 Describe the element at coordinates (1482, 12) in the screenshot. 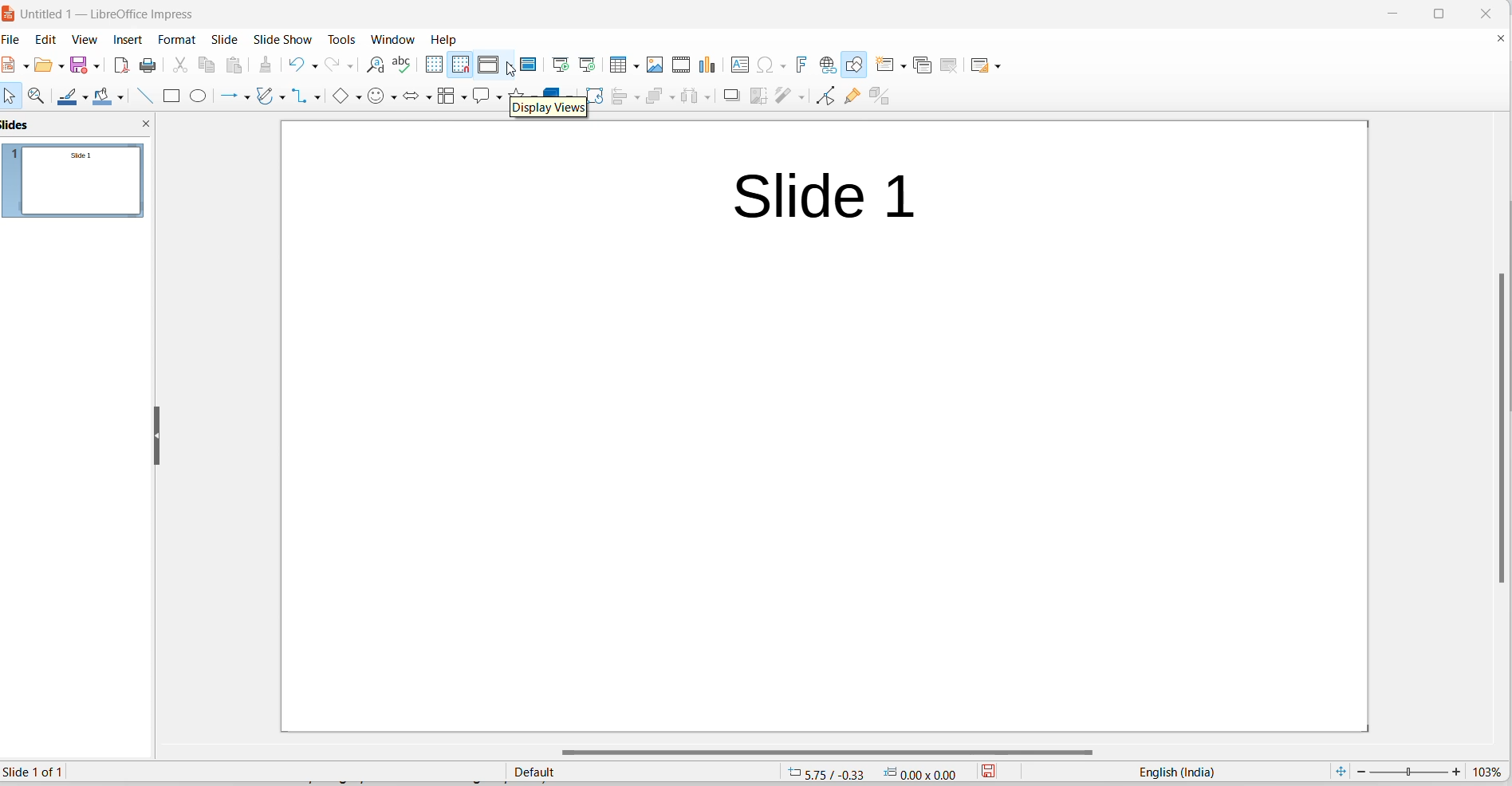

I see `close` at that location.